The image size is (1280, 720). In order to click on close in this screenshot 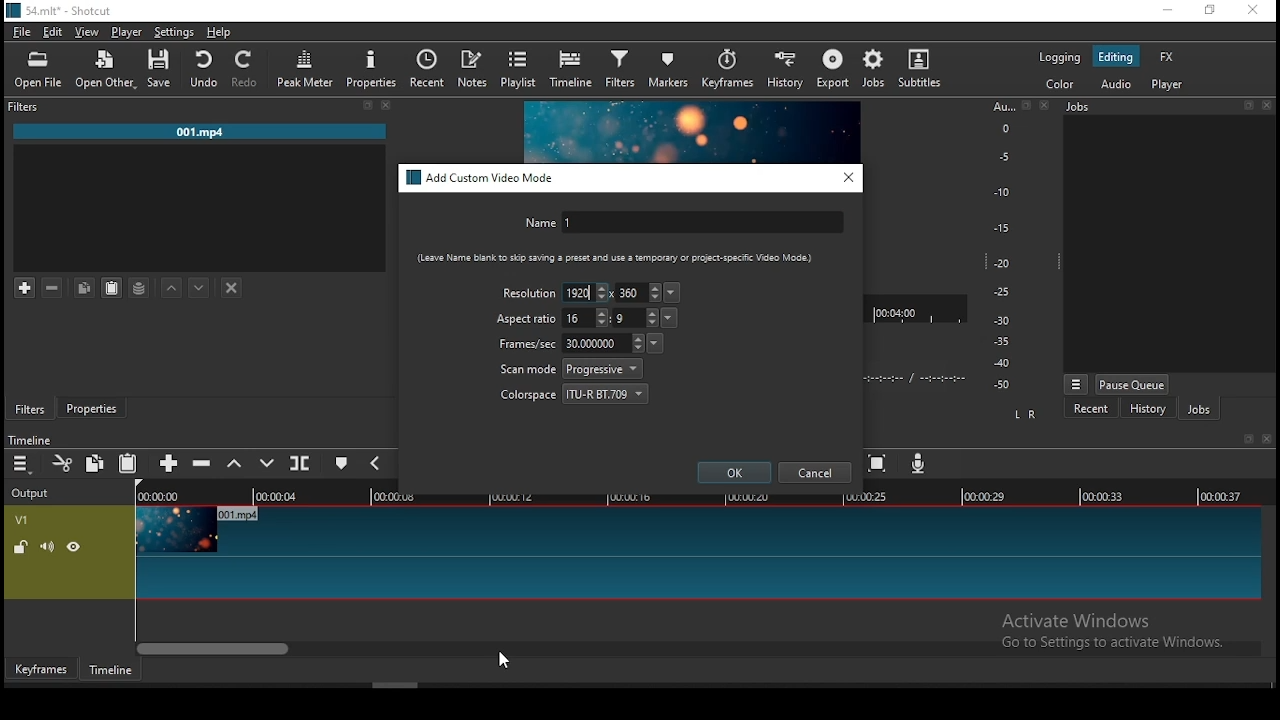, I will do `click(1270, 106)`.